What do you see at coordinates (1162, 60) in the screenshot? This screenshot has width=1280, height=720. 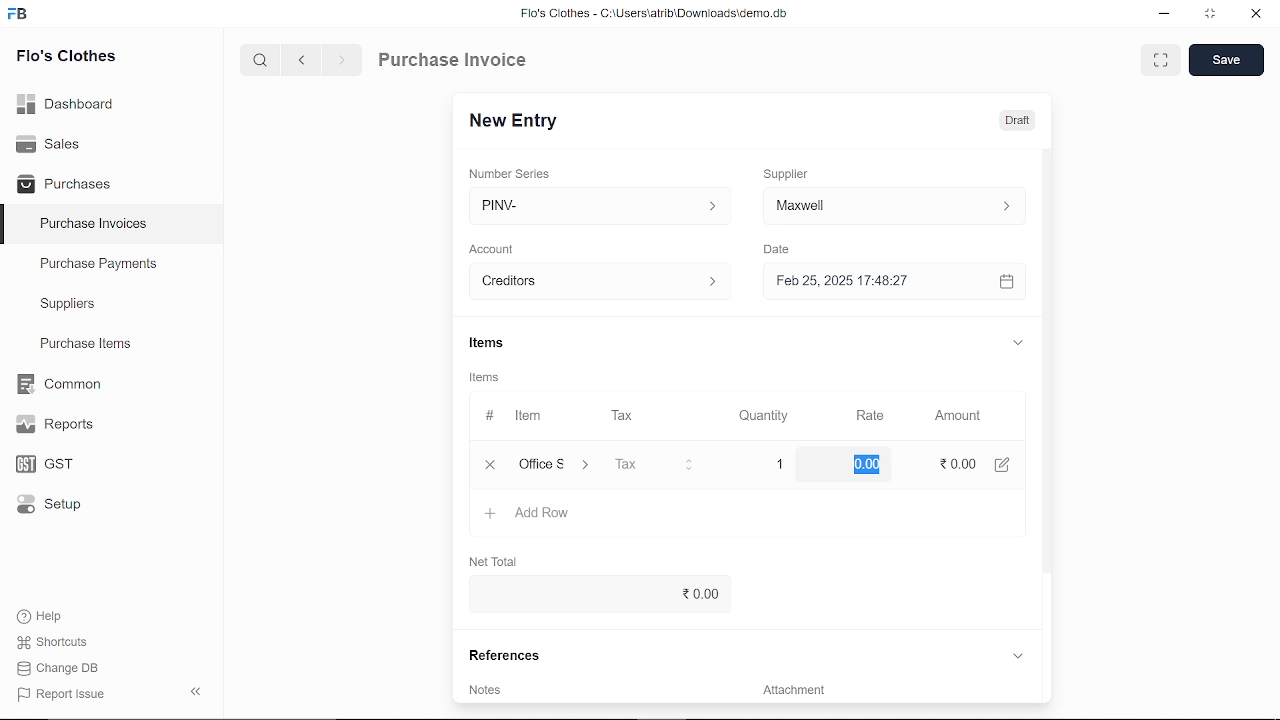 I see `full view` at bounding box center [1162, 60].